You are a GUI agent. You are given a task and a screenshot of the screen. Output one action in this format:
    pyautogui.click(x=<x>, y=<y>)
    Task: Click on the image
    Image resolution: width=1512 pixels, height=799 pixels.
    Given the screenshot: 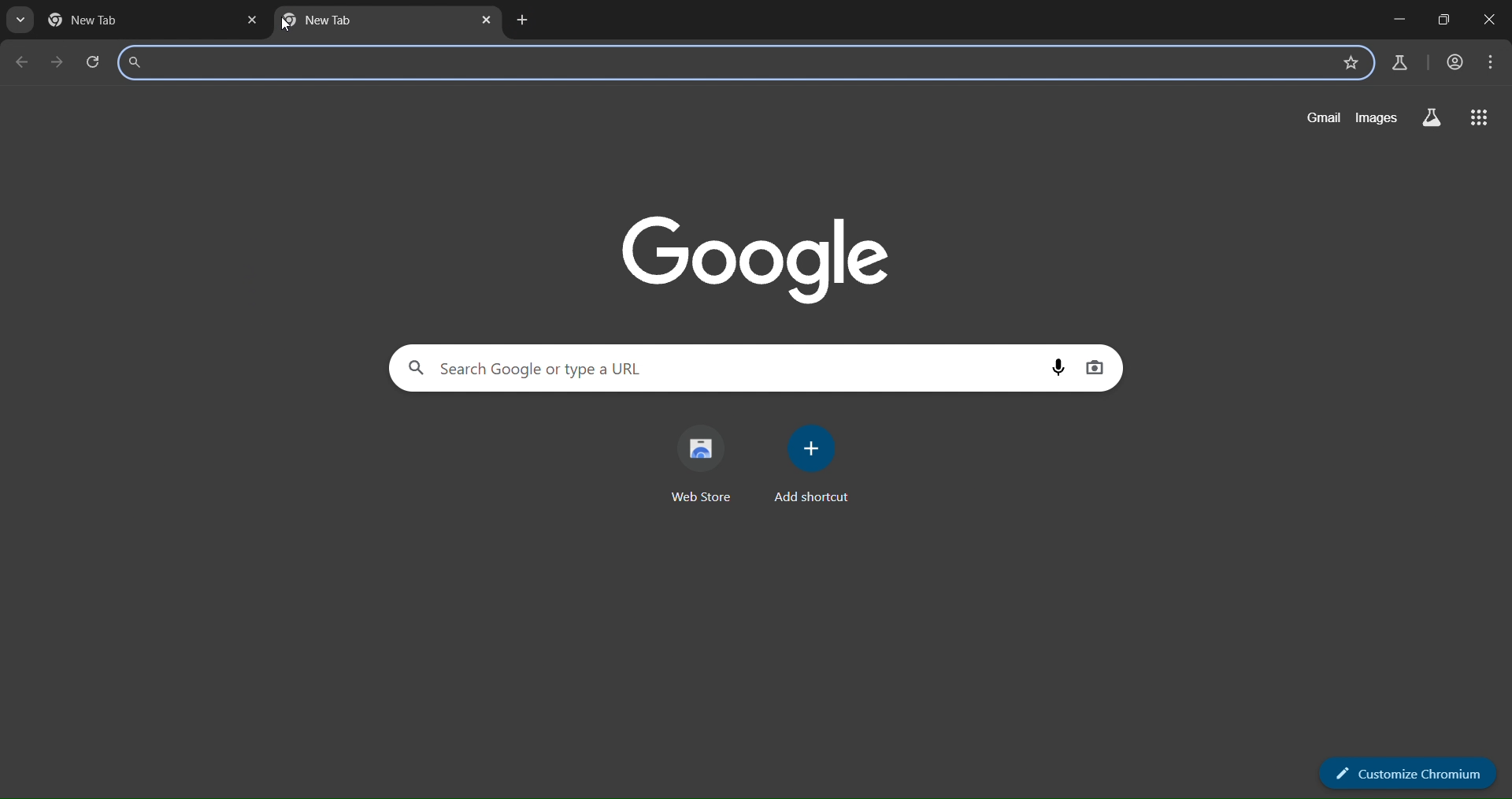 What is the action you would take?
    pyautogui.click(x=758, y=255)
    